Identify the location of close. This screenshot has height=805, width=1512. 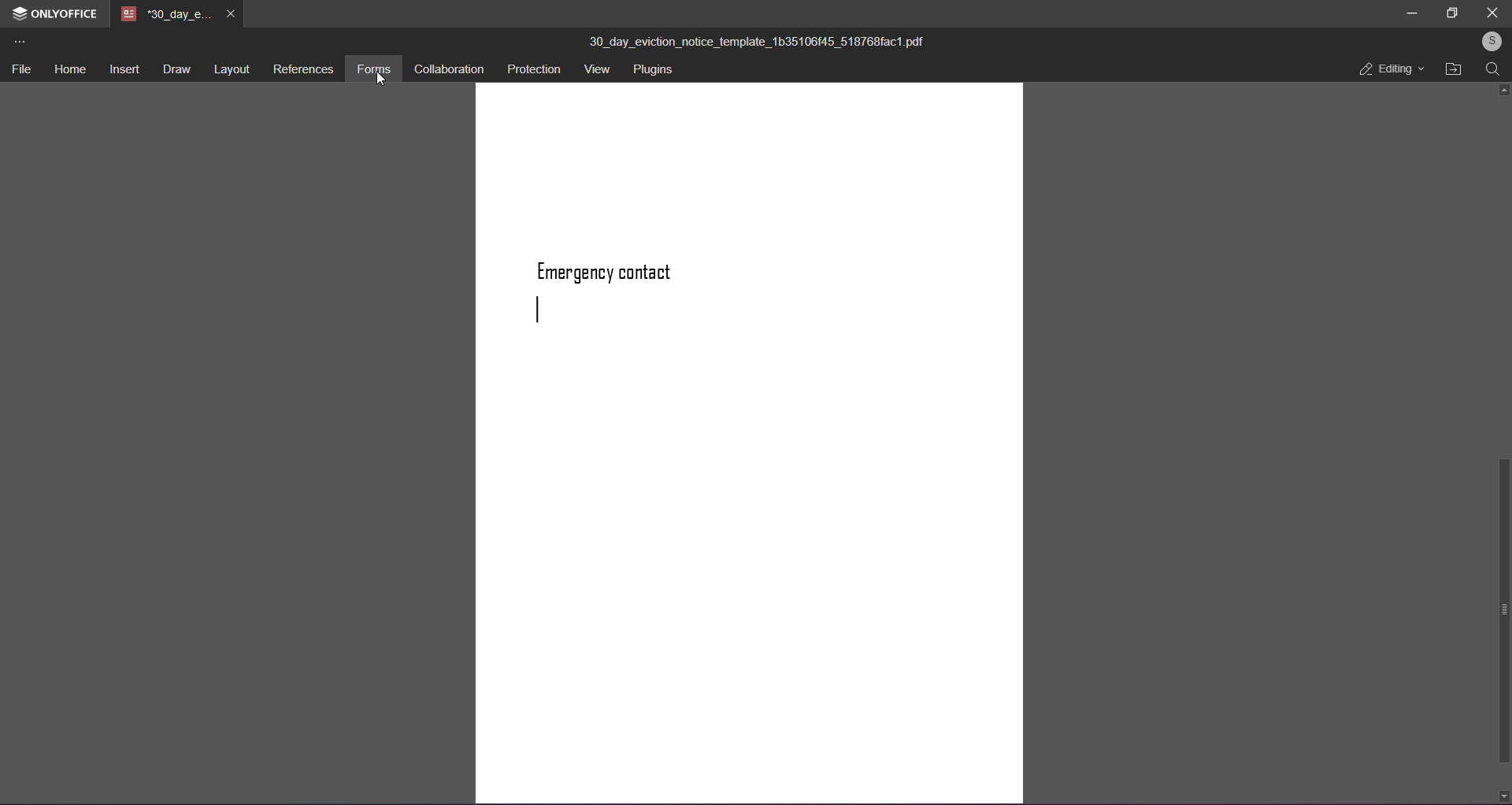
(1492, 13).